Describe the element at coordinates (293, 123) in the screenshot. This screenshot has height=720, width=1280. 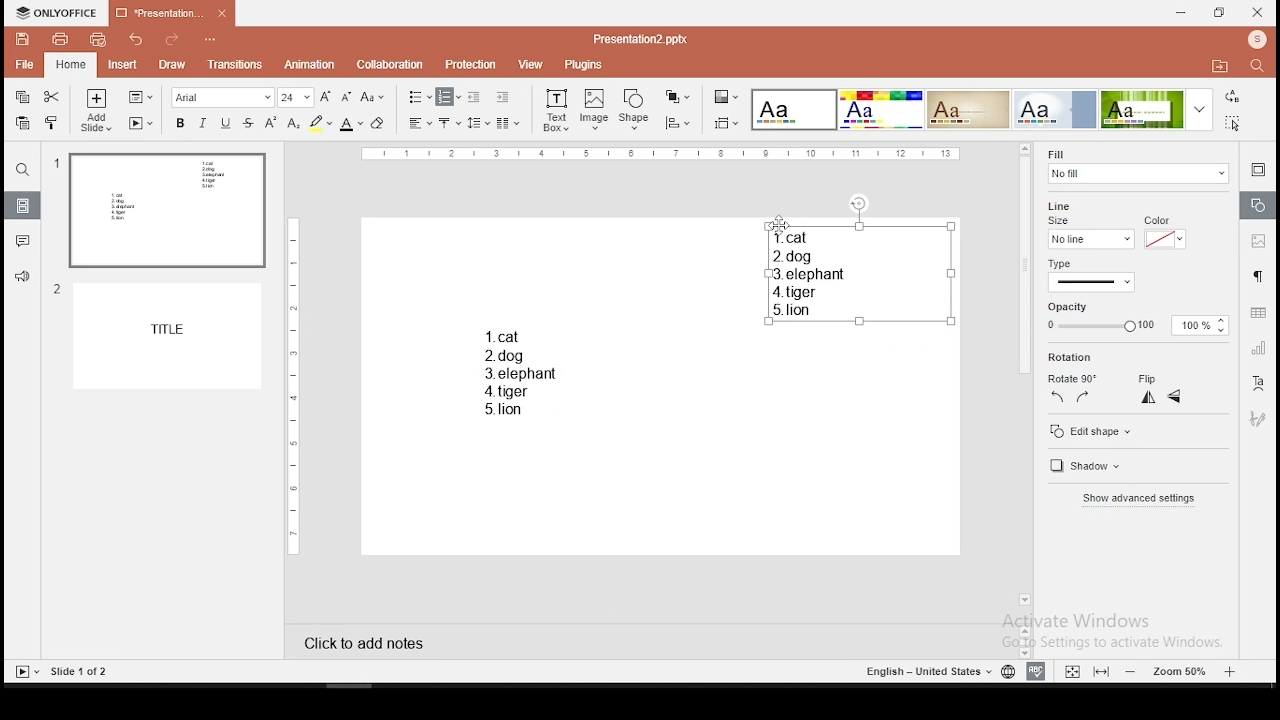
I see `subscript` at that location.